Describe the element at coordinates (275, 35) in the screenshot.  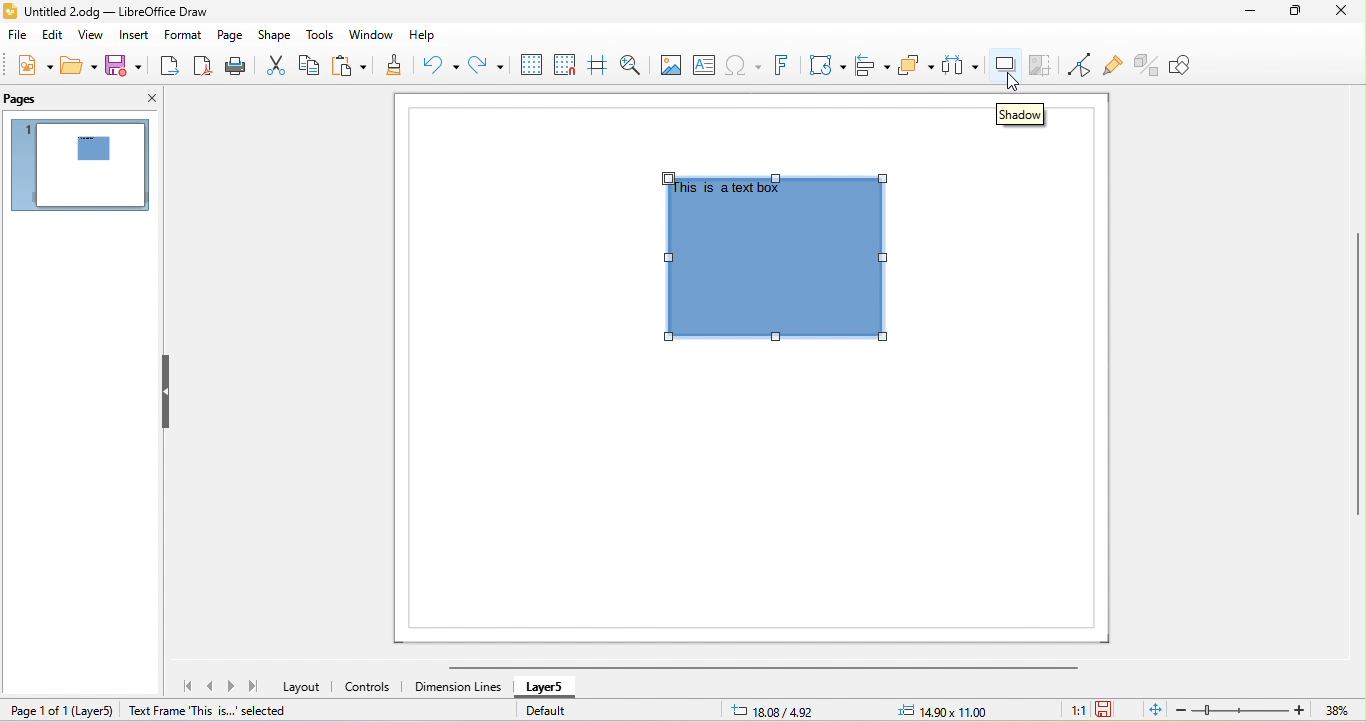
I see `shape` at that location.